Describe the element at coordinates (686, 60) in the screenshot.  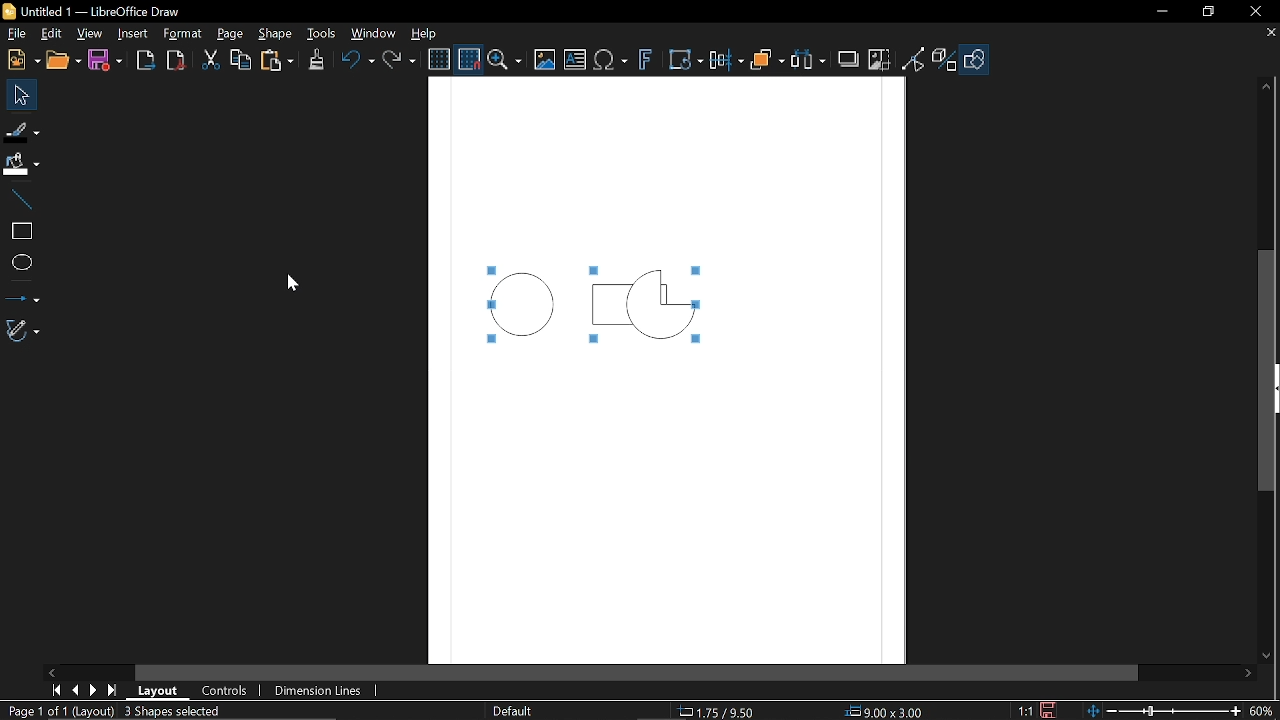
I see `Transform` at that location.